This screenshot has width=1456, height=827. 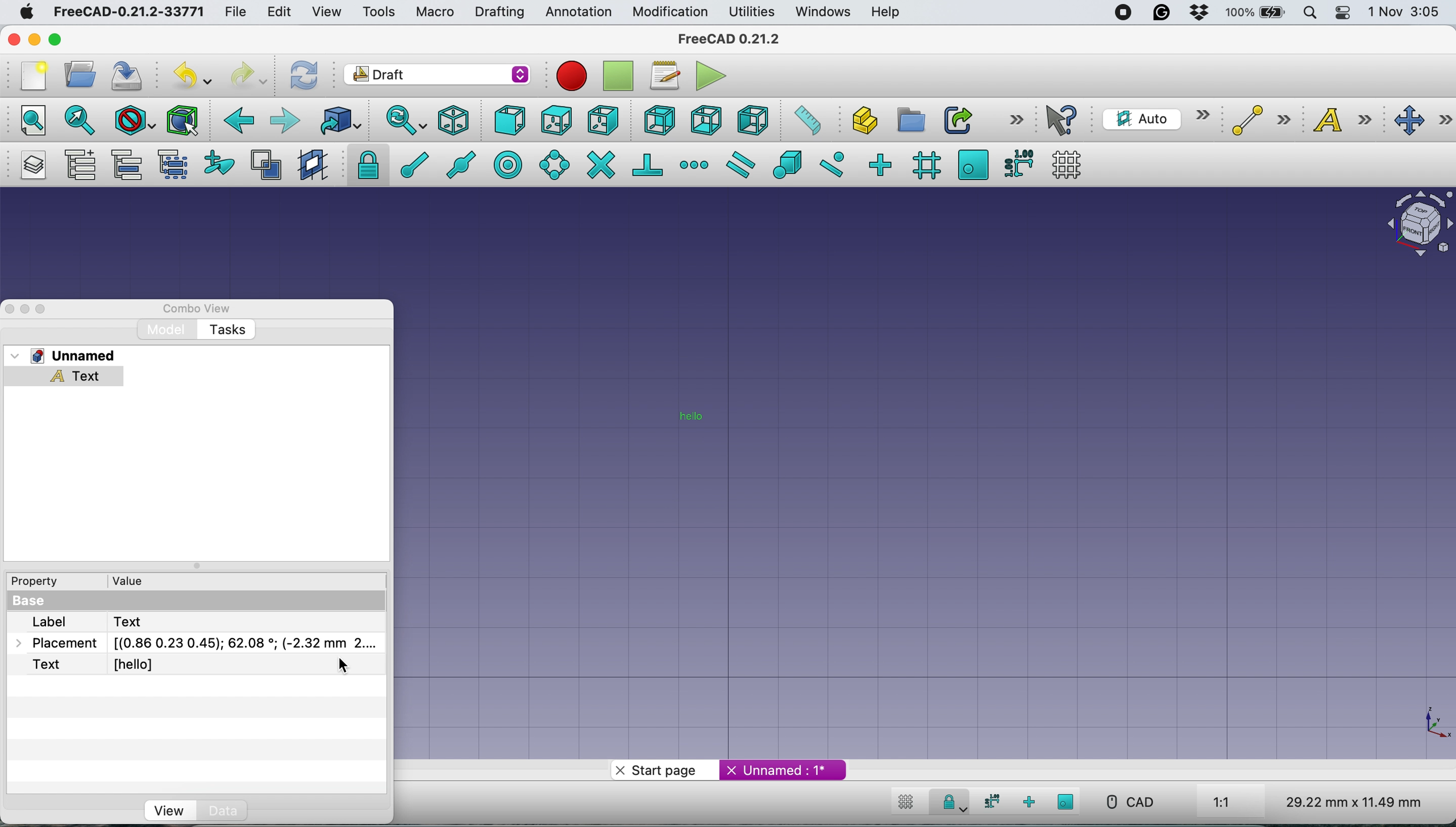 What do you see at coordinates (125, 164) in the screenshot?
I see `move to group` at bounding box center [125, 164].